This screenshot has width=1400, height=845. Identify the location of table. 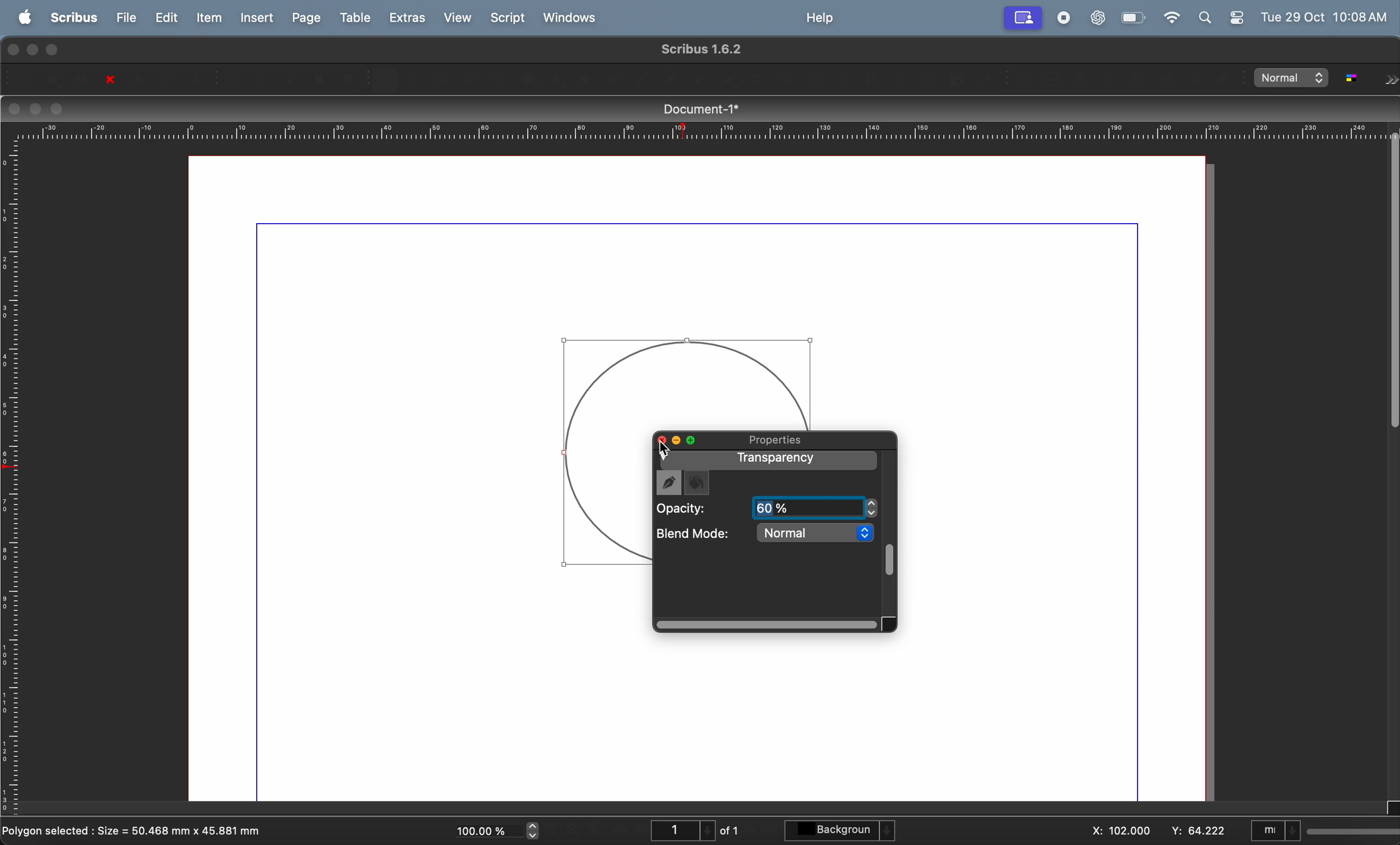
(353, 17).